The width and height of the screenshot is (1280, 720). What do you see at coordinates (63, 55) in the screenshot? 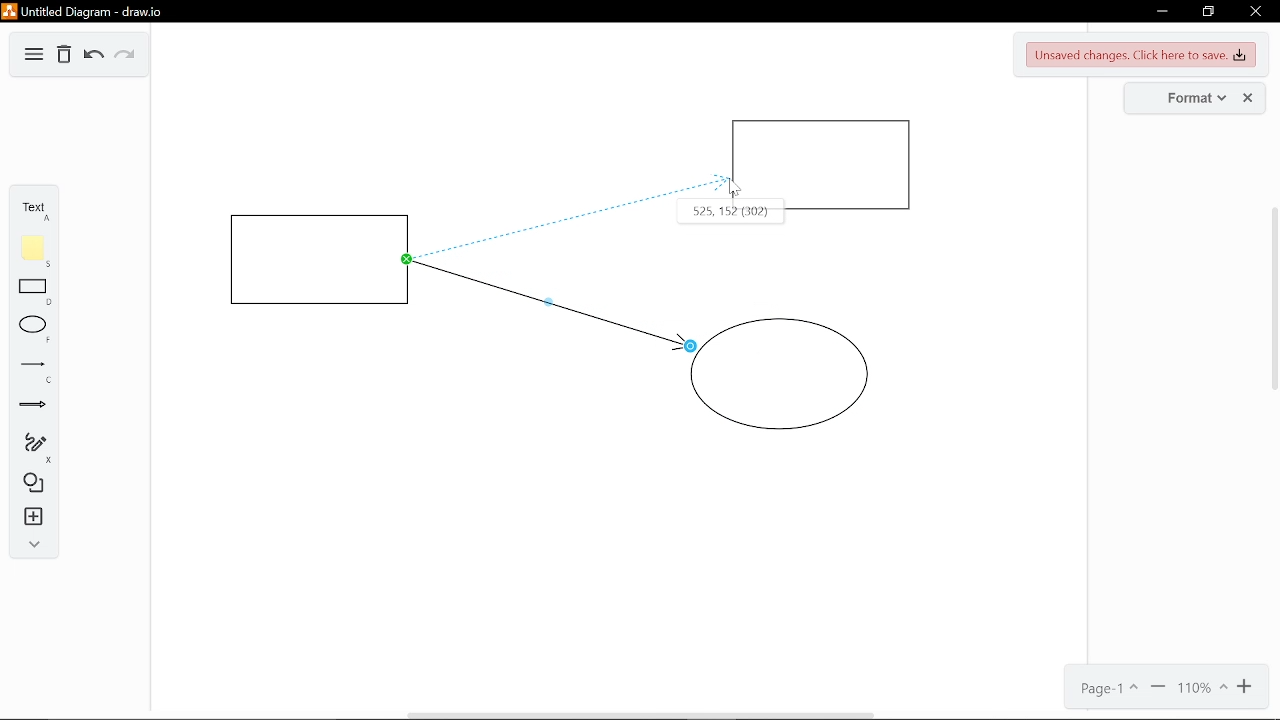
I see `Delete` at bounding box center [63, 55].